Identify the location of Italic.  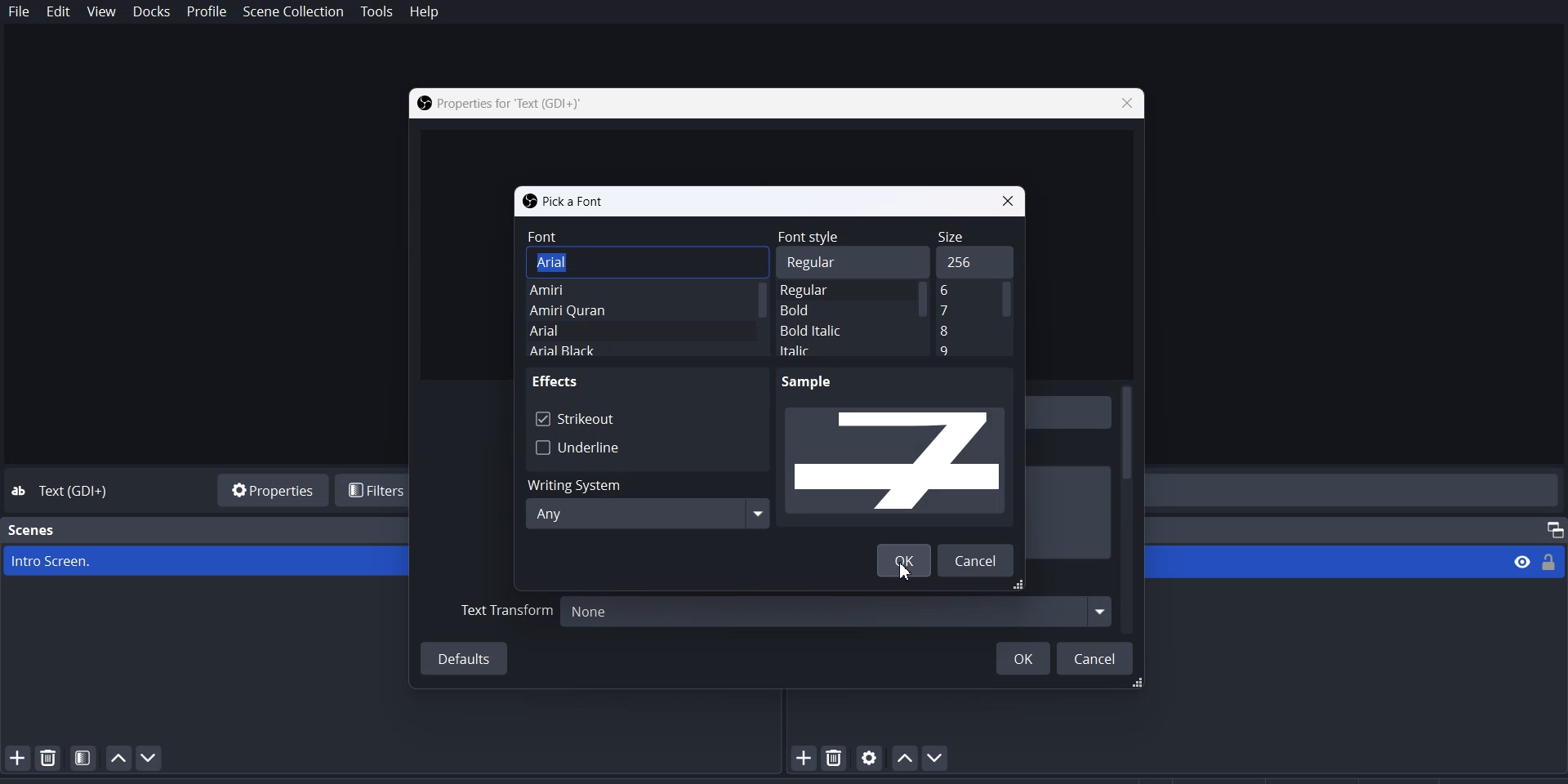
(827, 350).